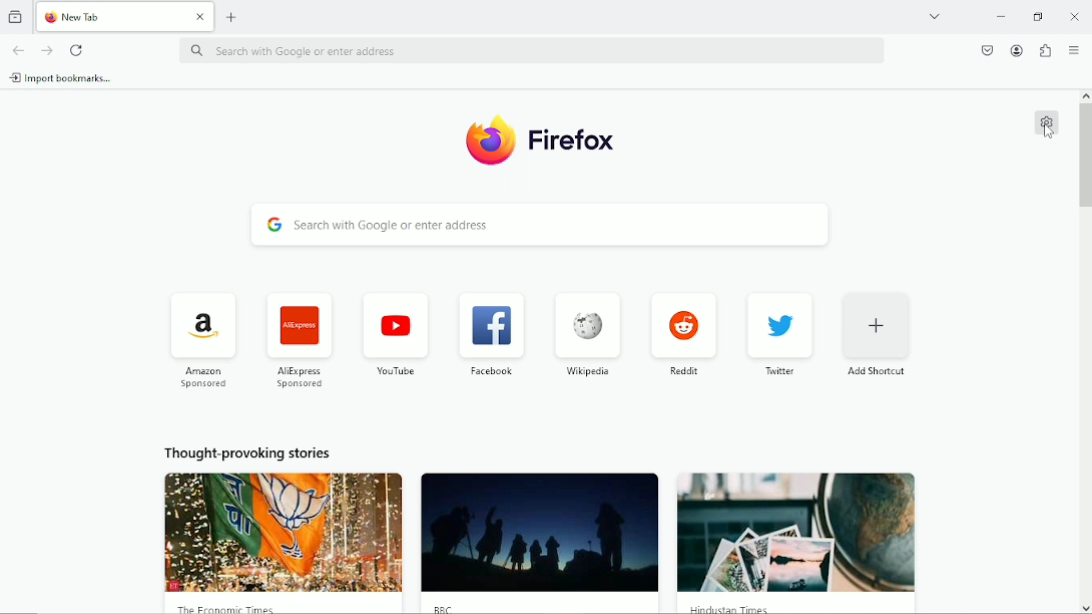  Describe the element at coordinates (800, 538) in the screenshot. I see `Thought provoking story` at that location.